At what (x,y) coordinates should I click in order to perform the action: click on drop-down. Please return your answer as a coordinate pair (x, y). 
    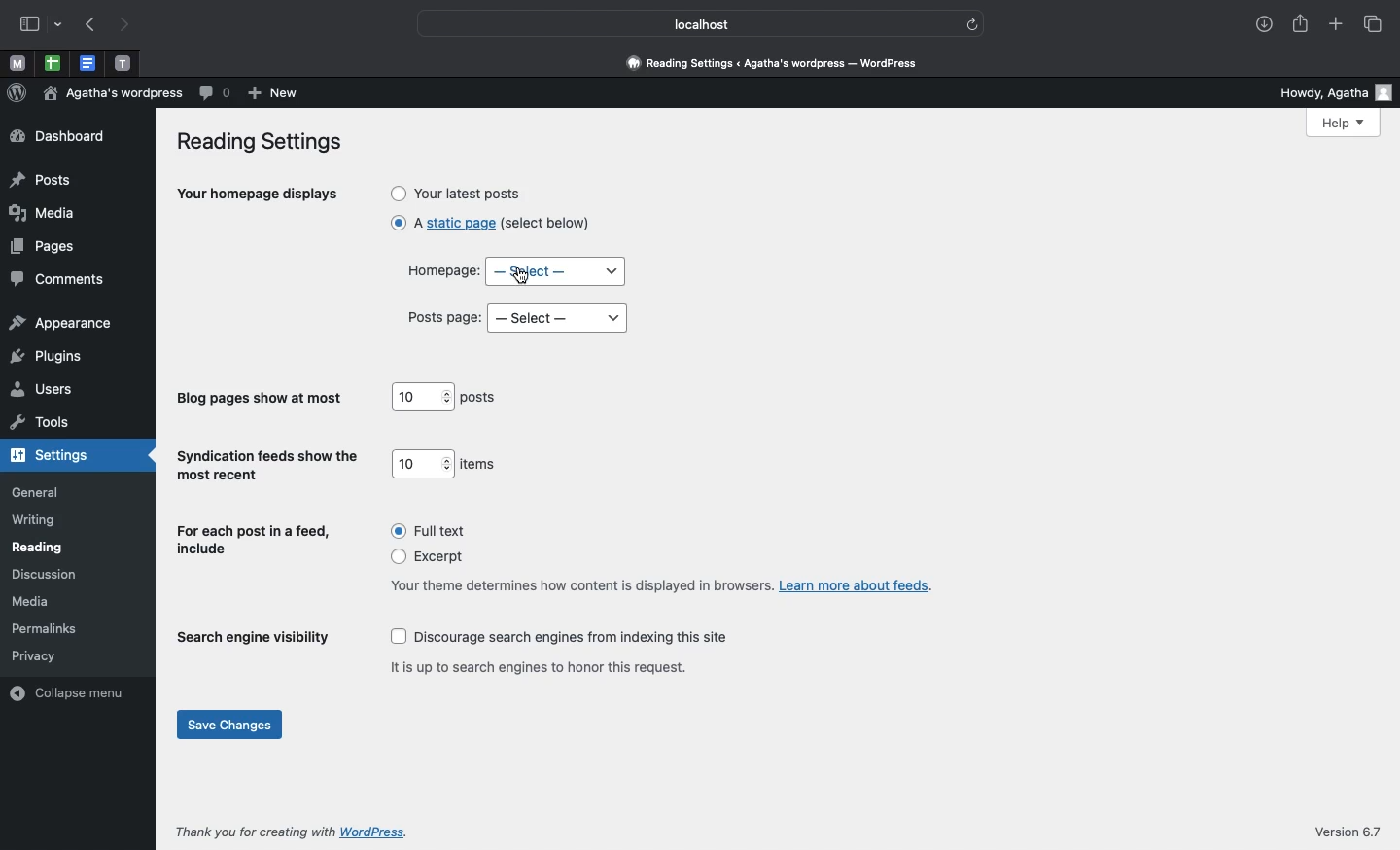
    Looking at the image, I should click on (59, 23).